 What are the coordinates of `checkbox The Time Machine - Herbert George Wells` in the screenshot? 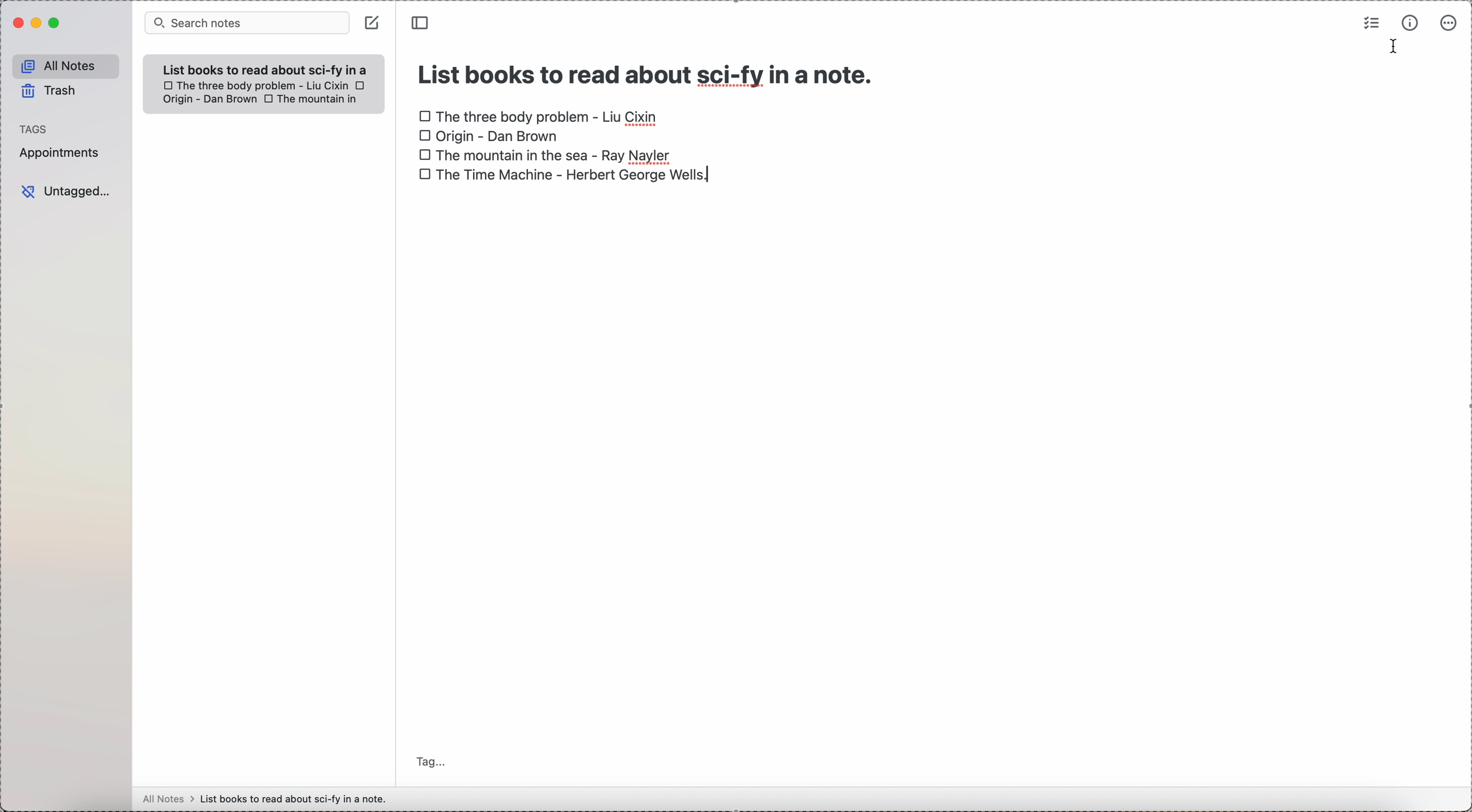 It's located at (567, 175).